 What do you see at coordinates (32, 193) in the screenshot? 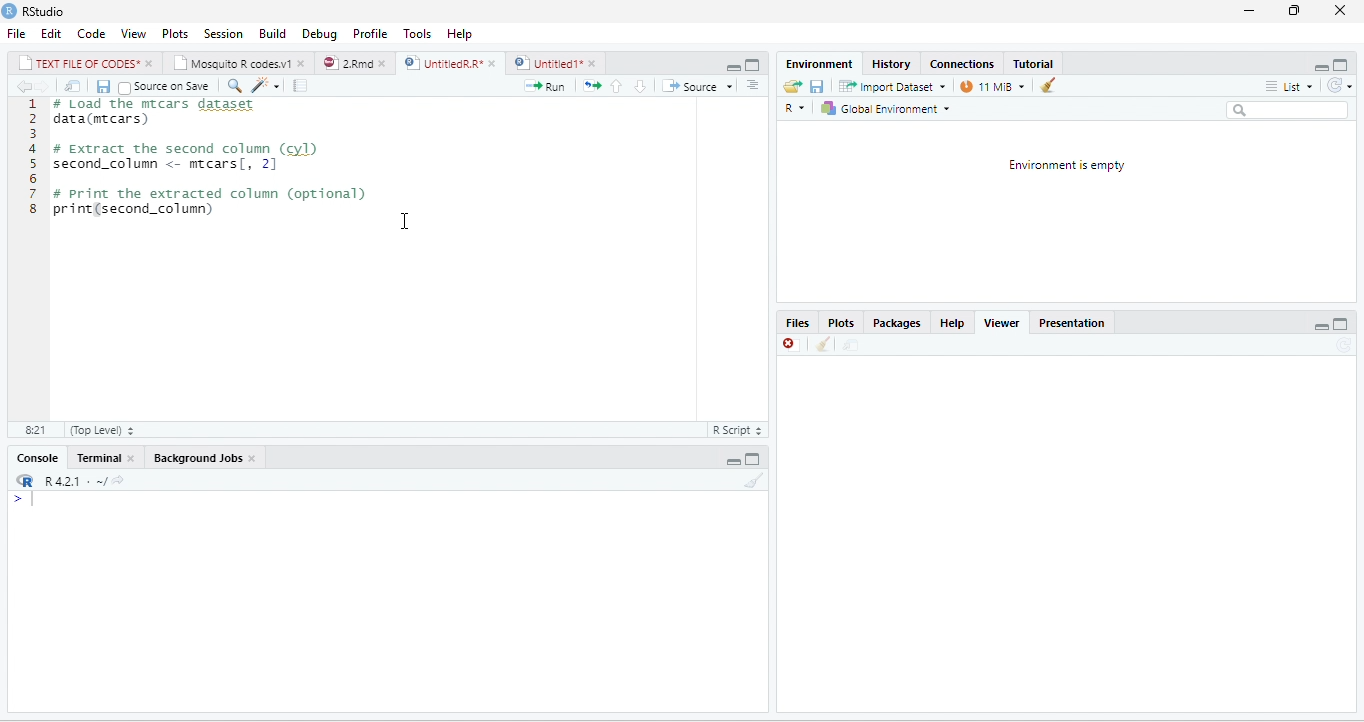
I see `7` at bounding box center [32, 193].